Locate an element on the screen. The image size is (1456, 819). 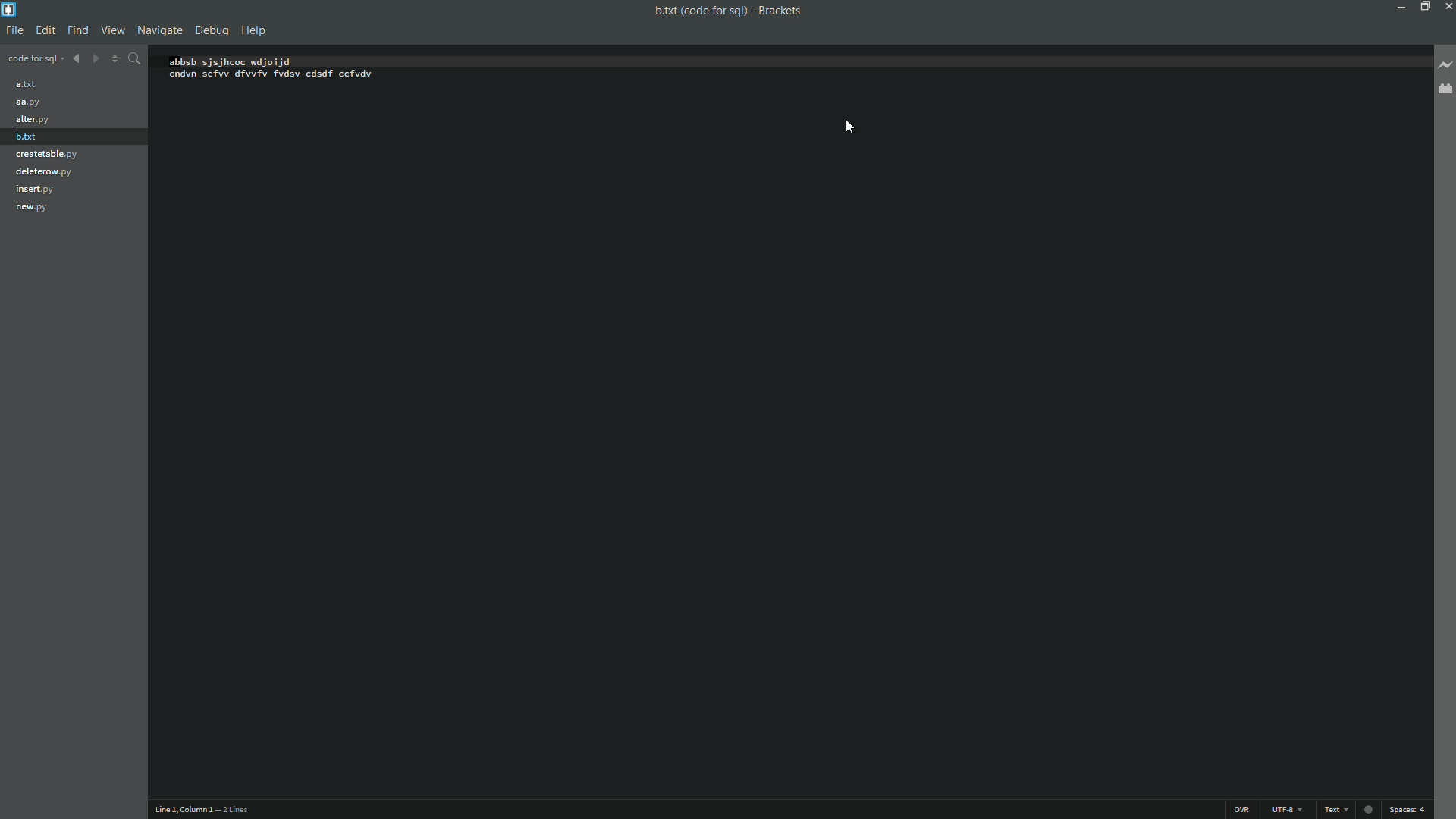
edit  is located at coordinates (45, 31).